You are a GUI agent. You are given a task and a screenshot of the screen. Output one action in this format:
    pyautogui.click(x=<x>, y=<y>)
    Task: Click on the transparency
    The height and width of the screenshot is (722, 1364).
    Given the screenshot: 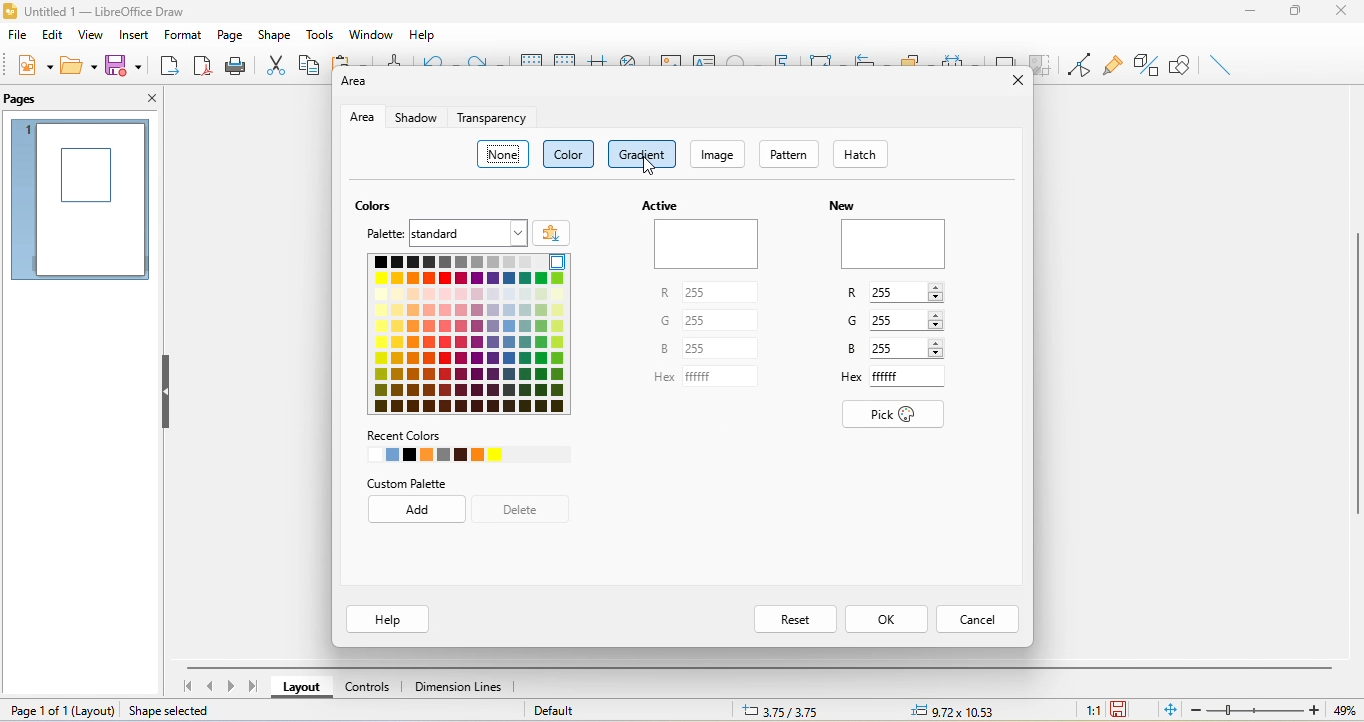 What is the action you would take?
    pyautogui.click(x=492, y=121)
    